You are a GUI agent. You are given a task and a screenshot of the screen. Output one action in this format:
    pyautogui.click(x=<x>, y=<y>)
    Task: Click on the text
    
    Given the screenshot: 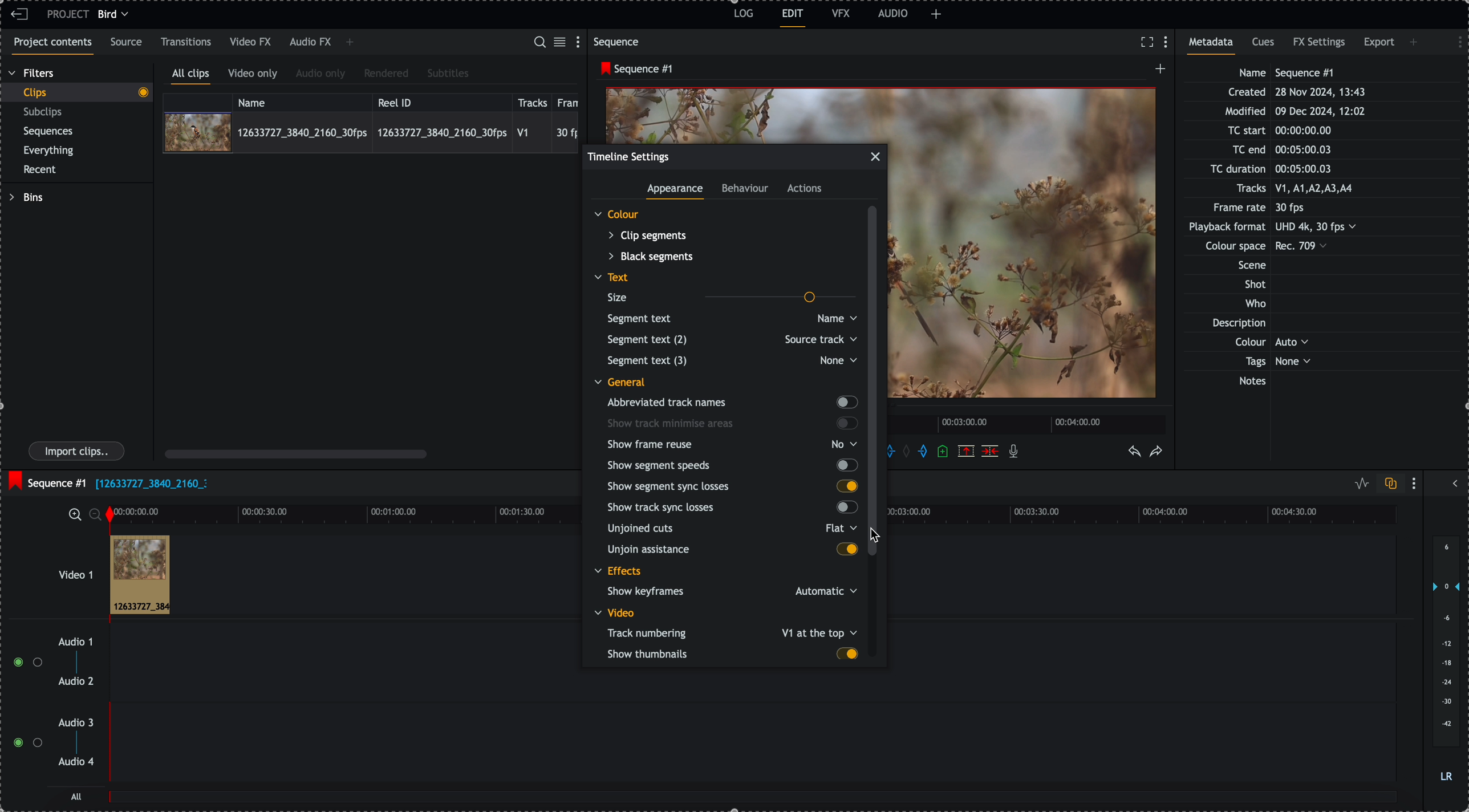 What is the action you would take?
    pyautogui.click(x=615, y=278)
    